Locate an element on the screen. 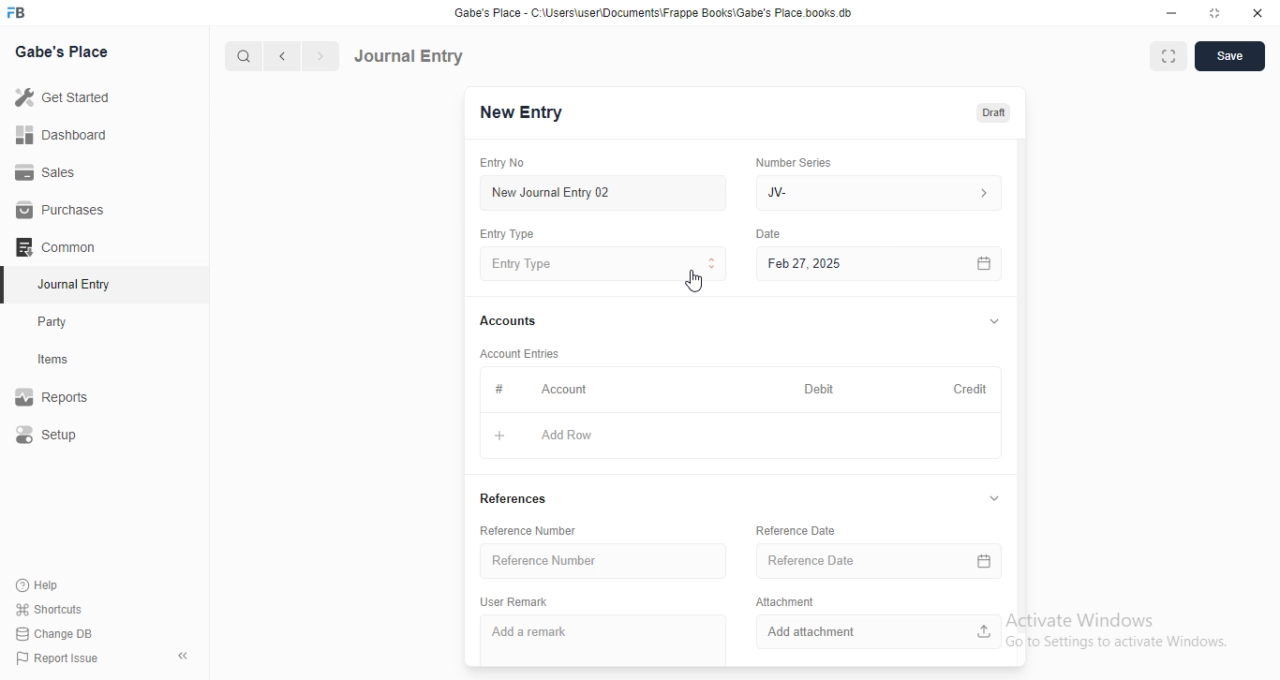 The width and height of the screenshot is (1280, 680). Party is located at coordinates (54, 322).